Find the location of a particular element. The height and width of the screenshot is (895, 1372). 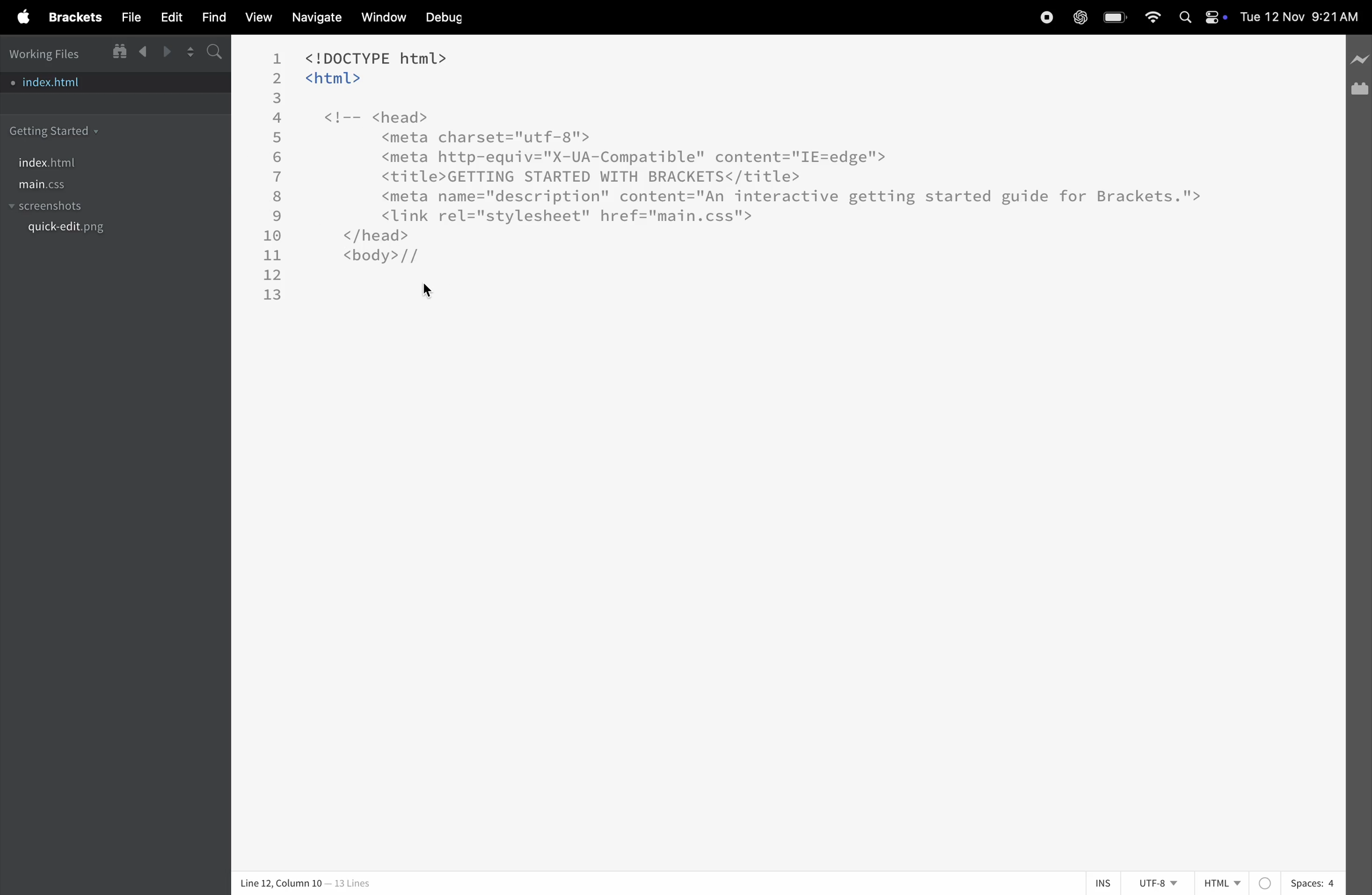

Html  is located at coordinates (1237, 883).